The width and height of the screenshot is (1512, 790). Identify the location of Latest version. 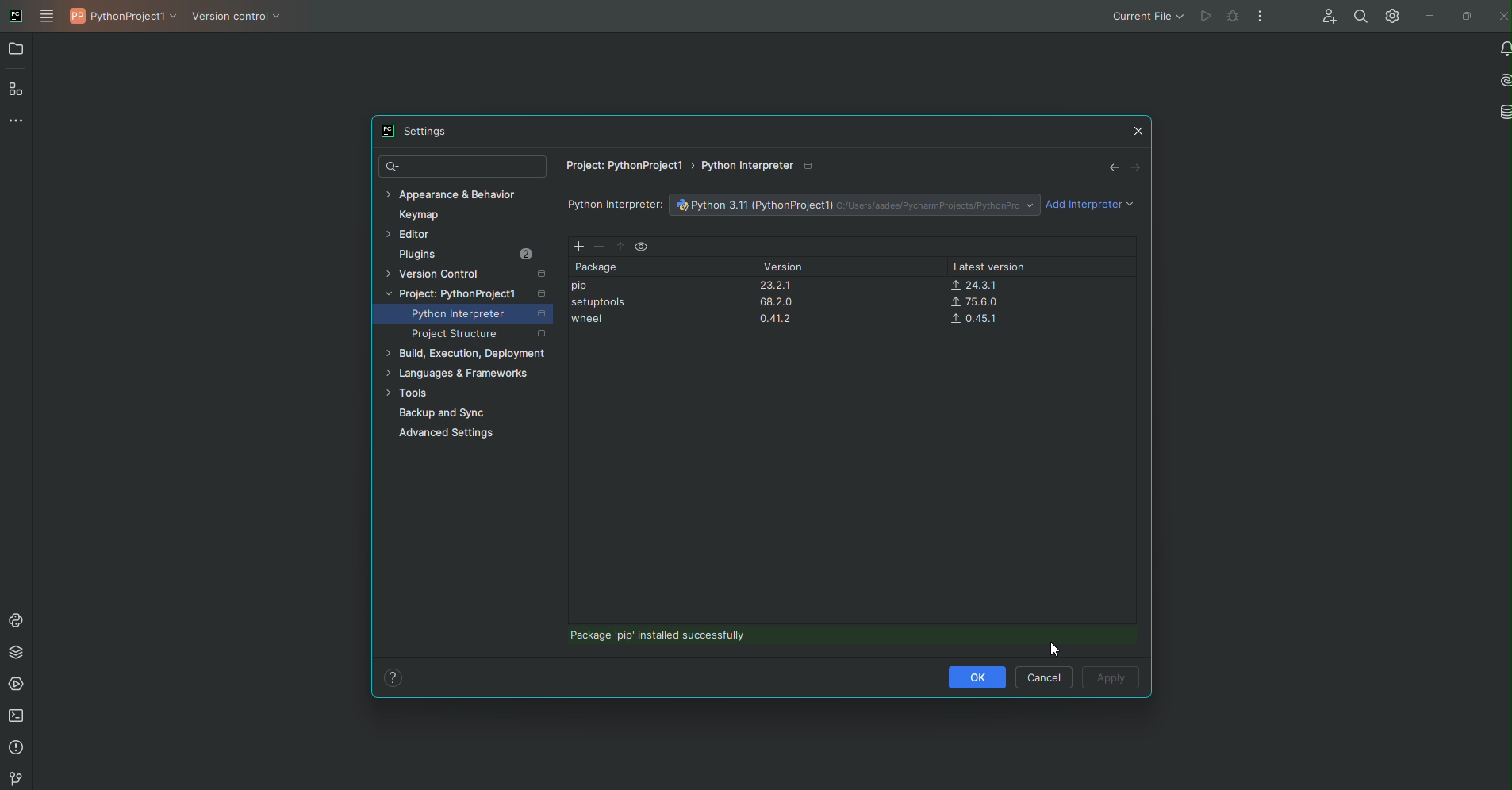
(988, 267).